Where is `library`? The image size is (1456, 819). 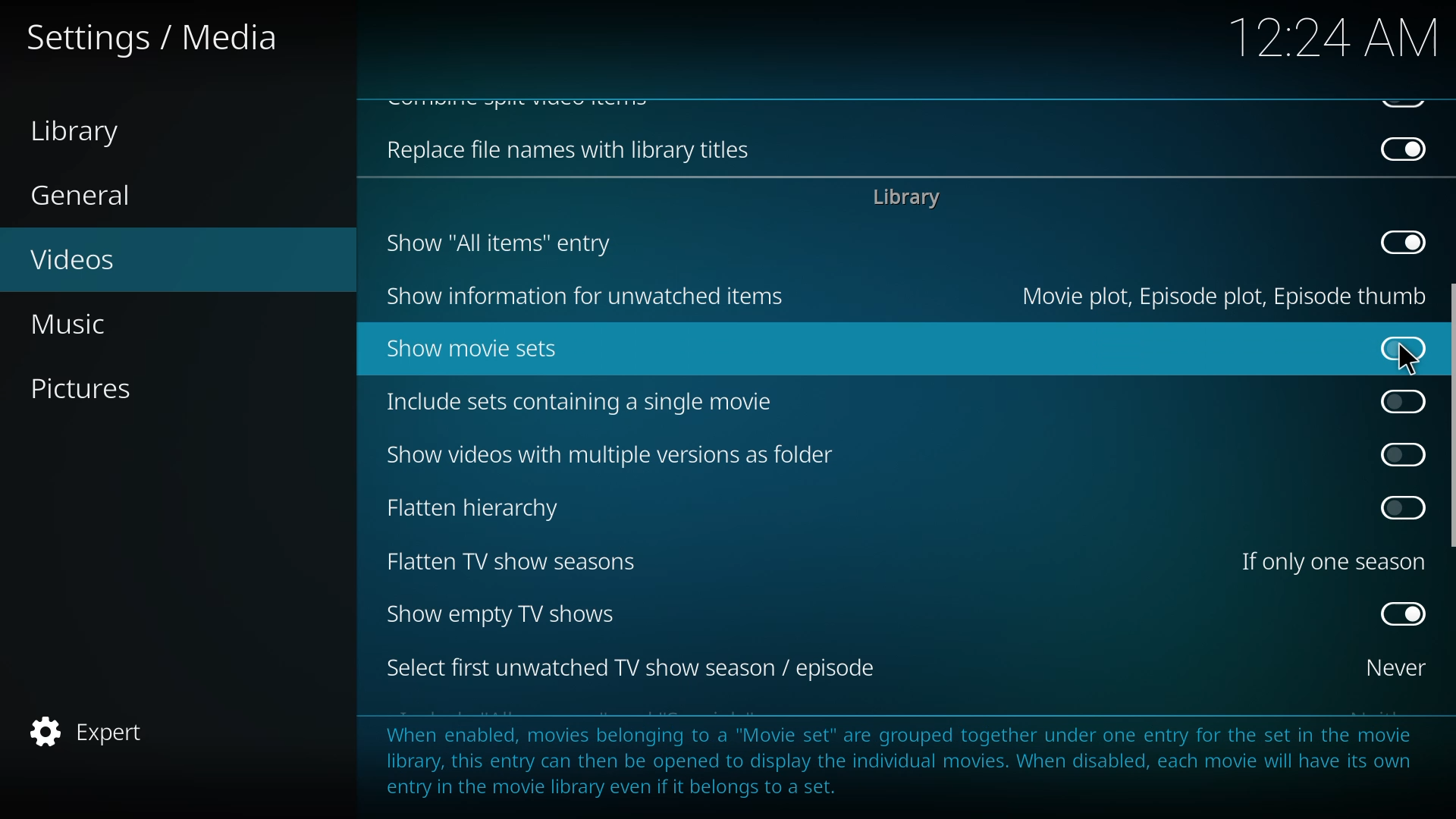 library is located at coordinates (902, 198).